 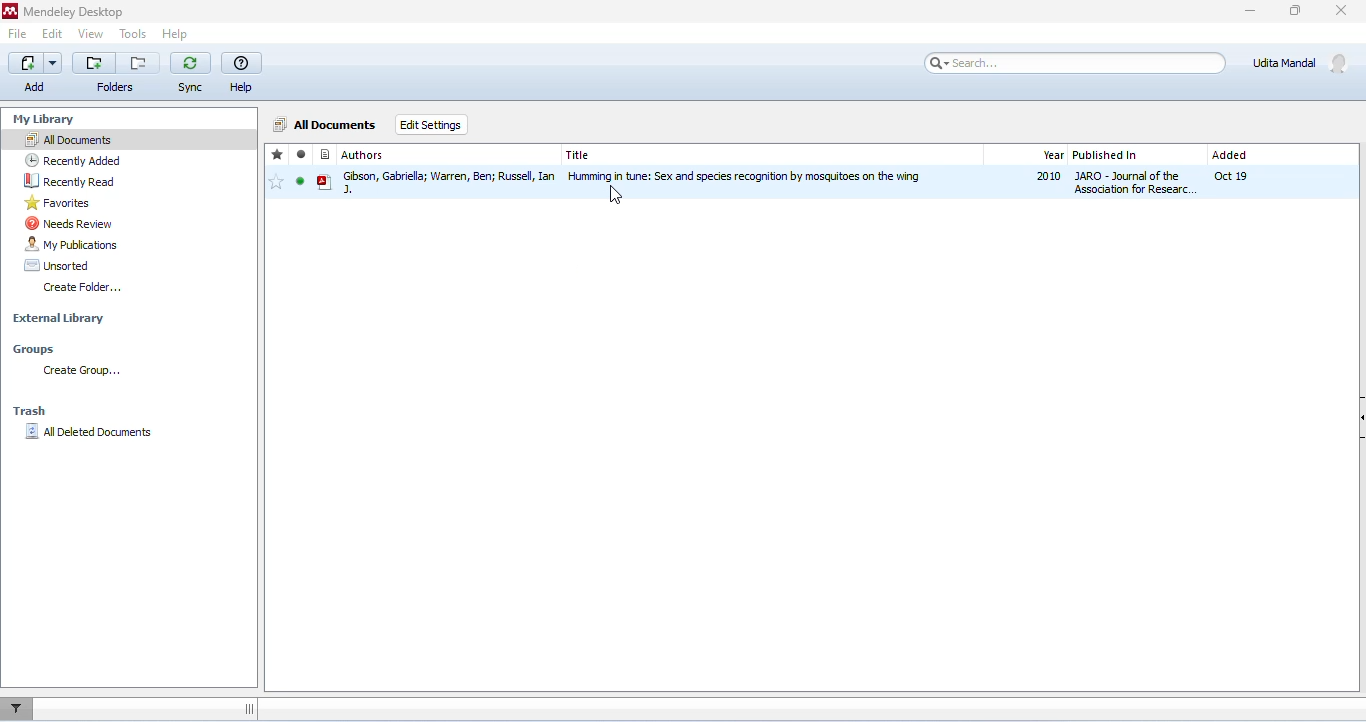 What do you see at coordinates (38, 348) in the screenshot?
I see `groups` at bounding box center [38, 348].